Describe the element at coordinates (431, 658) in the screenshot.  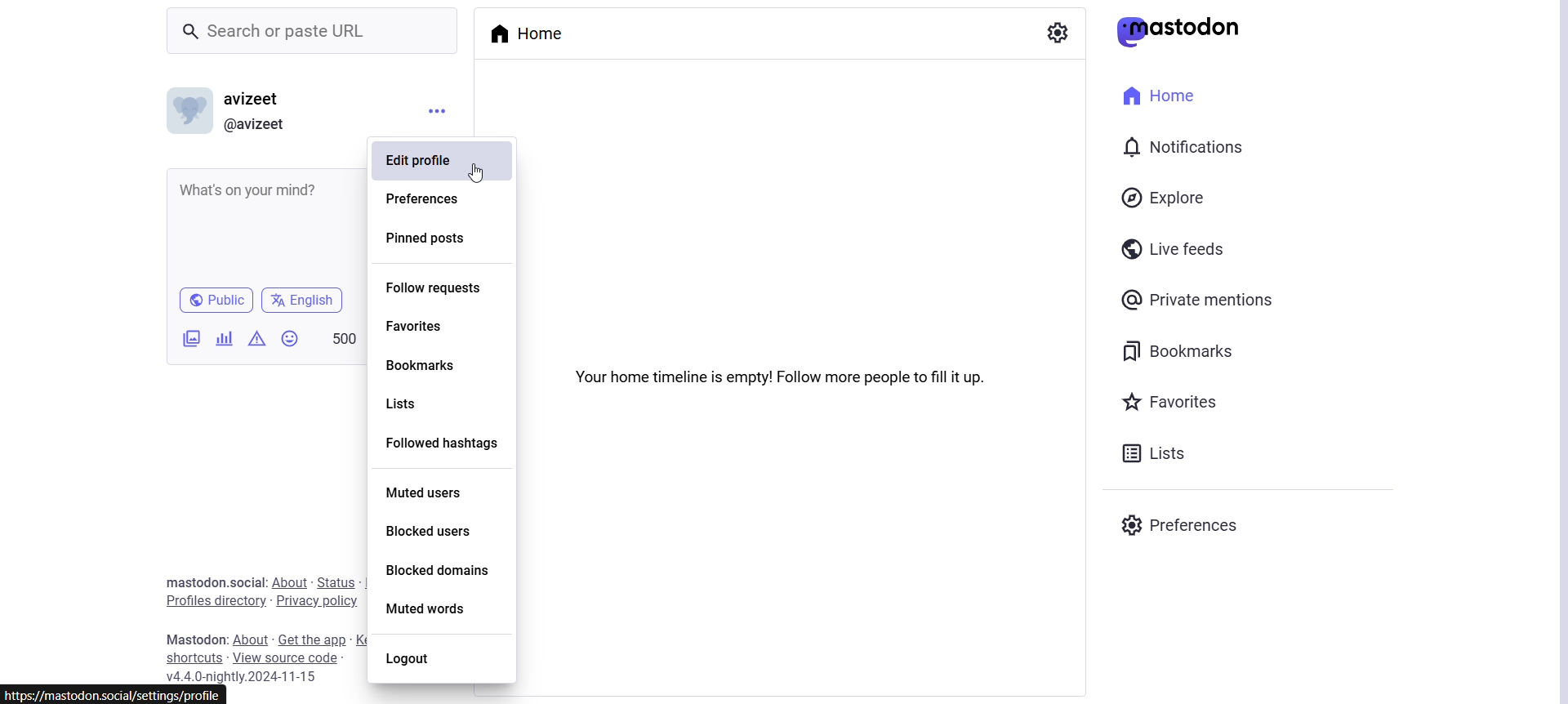
I see `Logout` at that location.